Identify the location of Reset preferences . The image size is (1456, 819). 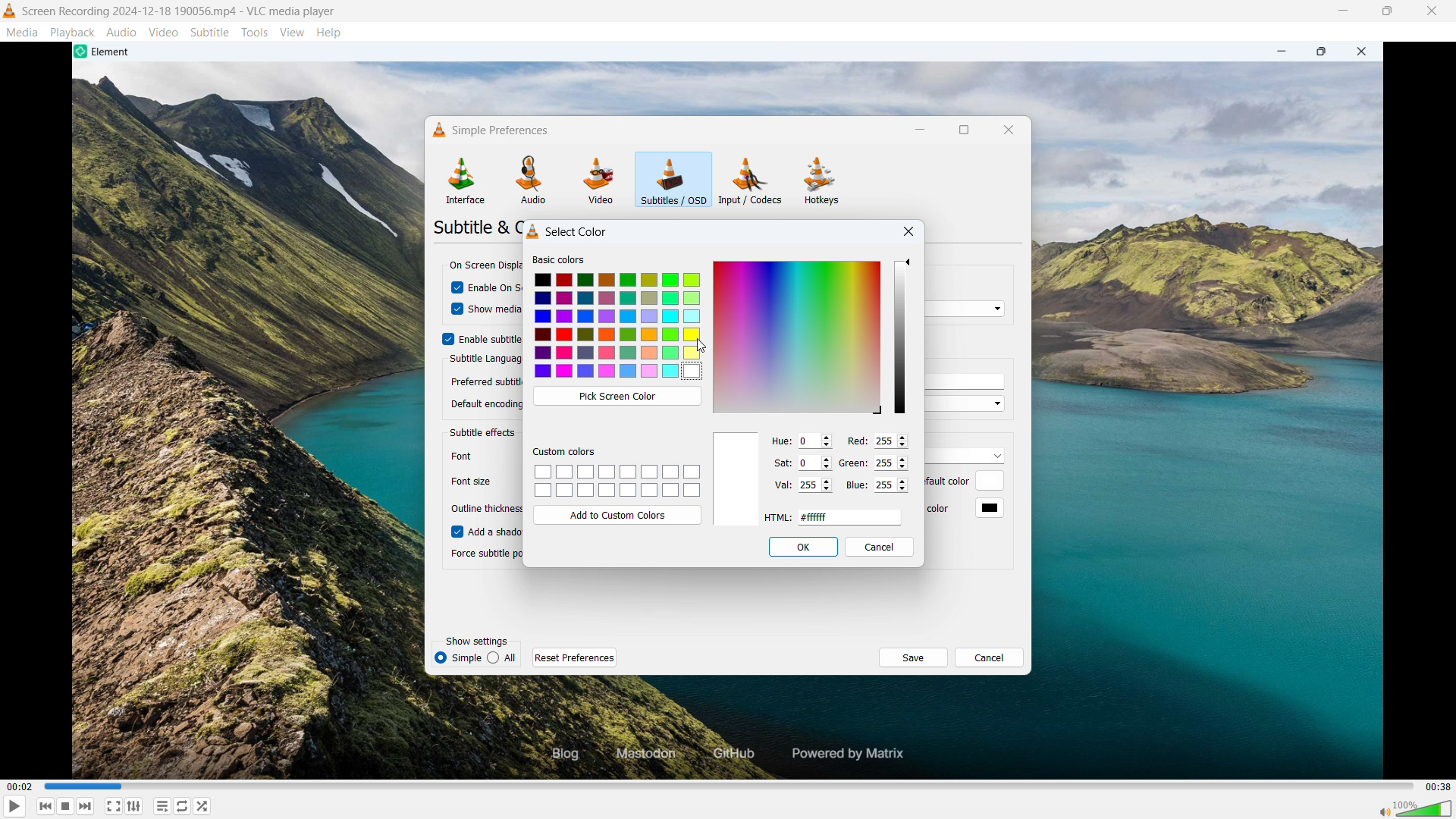
(575, 657).